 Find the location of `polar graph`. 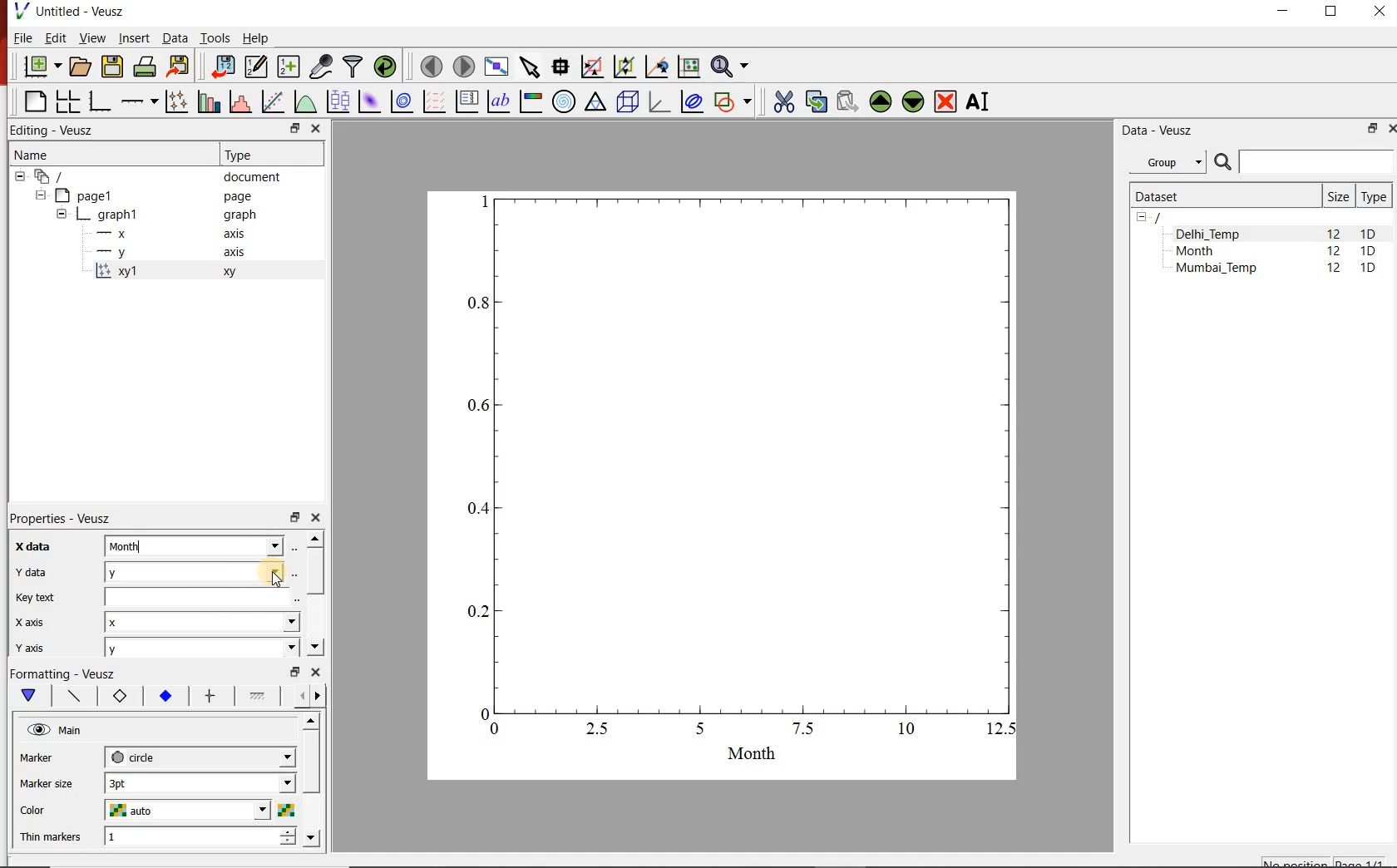

polar graph is located at coordinates (565, 103).